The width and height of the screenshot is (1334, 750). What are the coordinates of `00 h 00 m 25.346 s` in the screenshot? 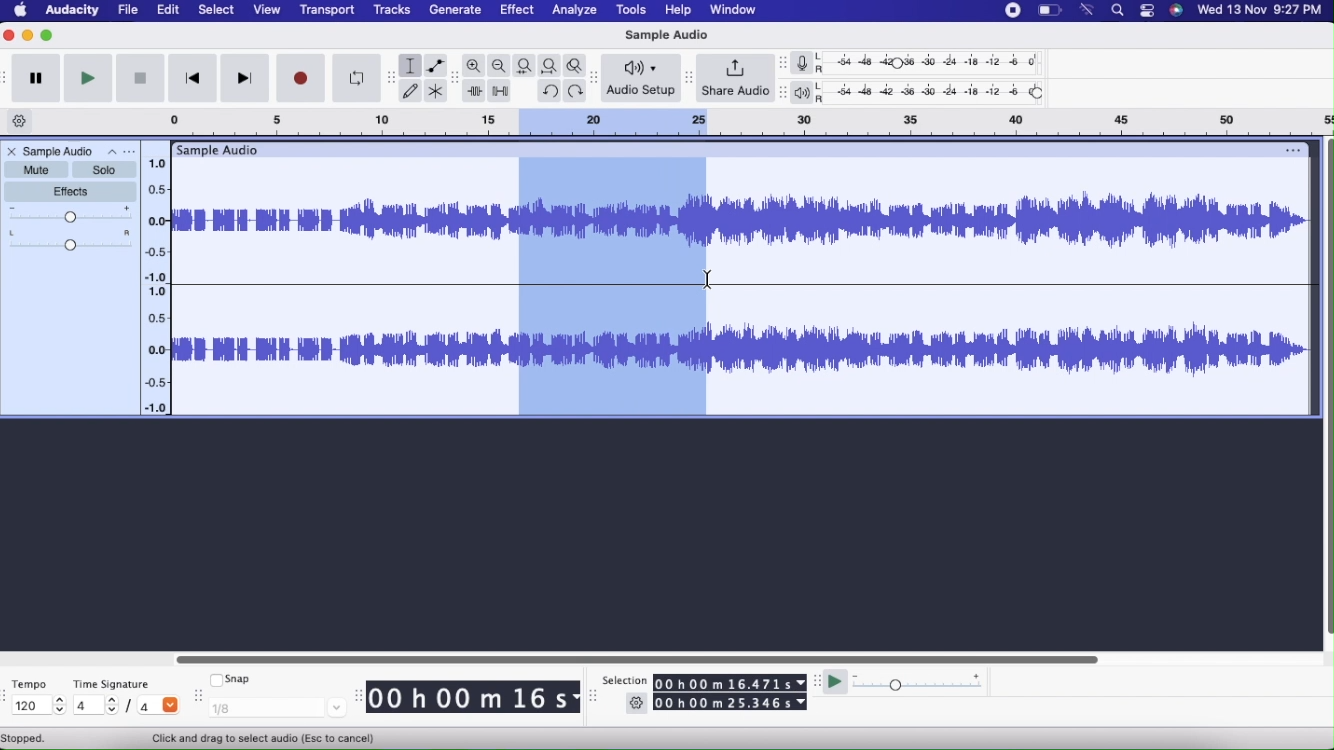 It's located at (732, 703).